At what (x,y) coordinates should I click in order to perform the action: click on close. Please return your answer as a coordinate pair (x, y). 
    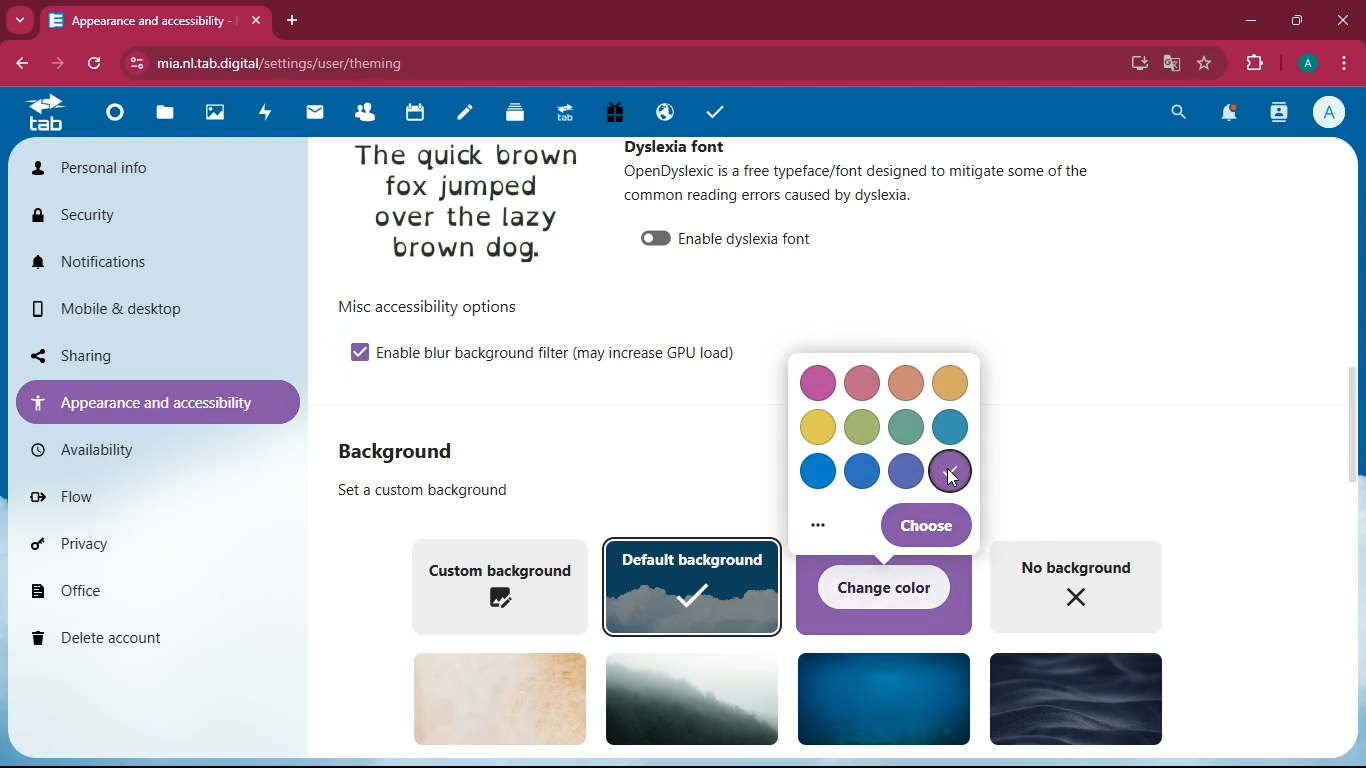
    Looking at the image, I should click on (1344, 21).